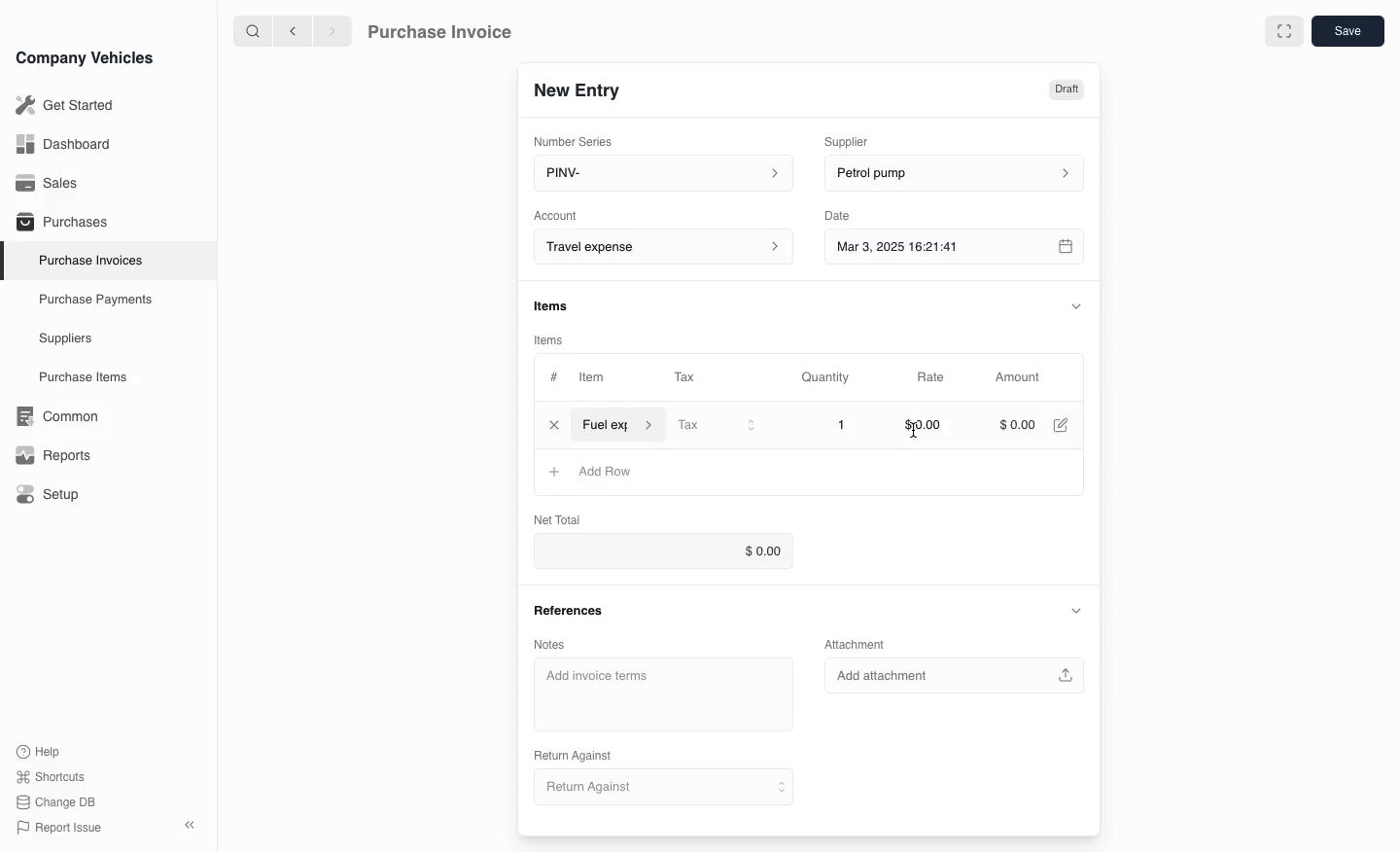 Image resolution: width=1400 pixels, height=852 pixels. What do you see at coordinates (664, 695) in the screenshot?
I see `Add invoice terms` at bounding box center [664, 695].